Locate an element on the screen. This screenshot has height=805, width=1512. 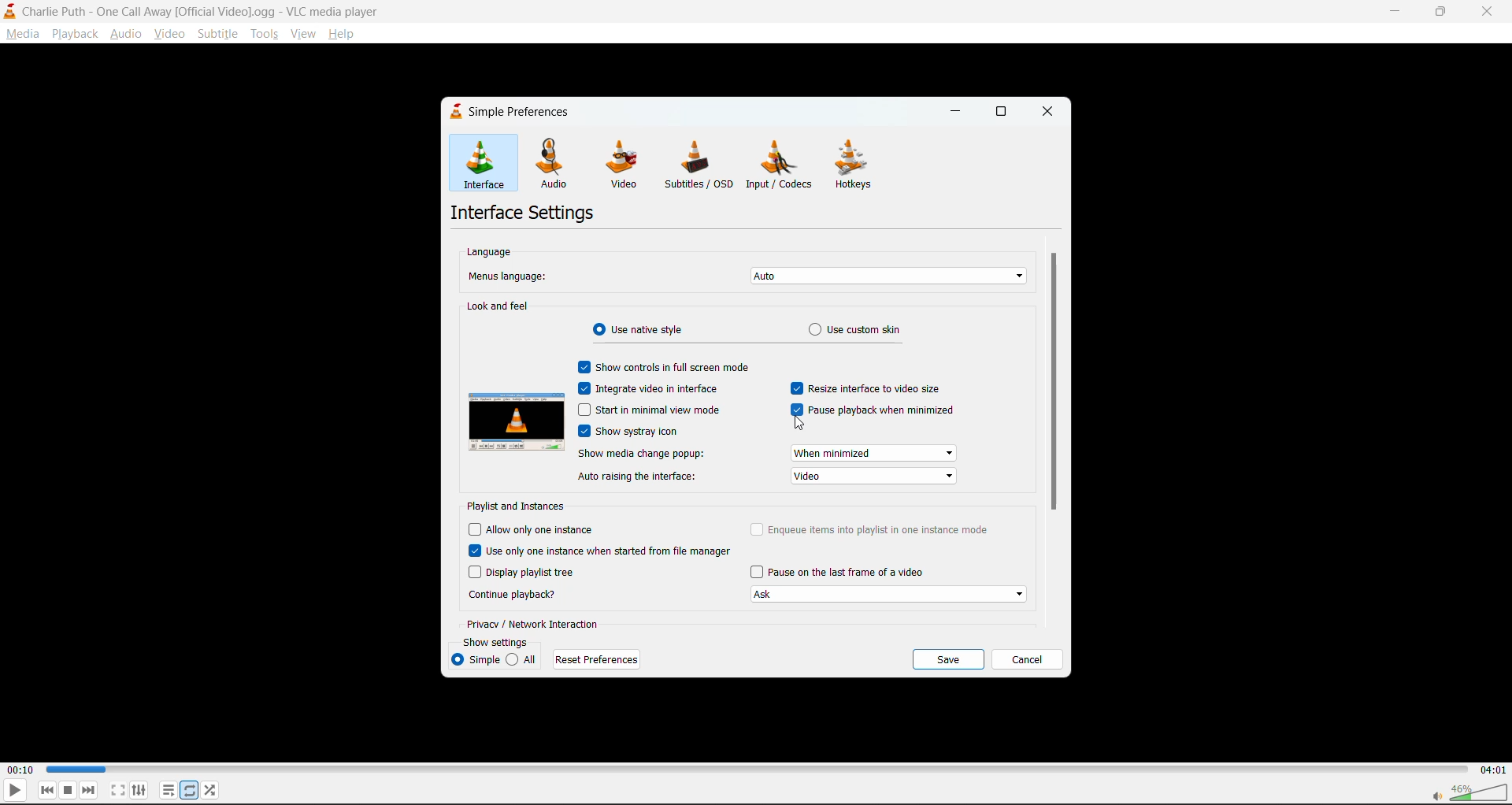
all is located at coordinates (523, 659).